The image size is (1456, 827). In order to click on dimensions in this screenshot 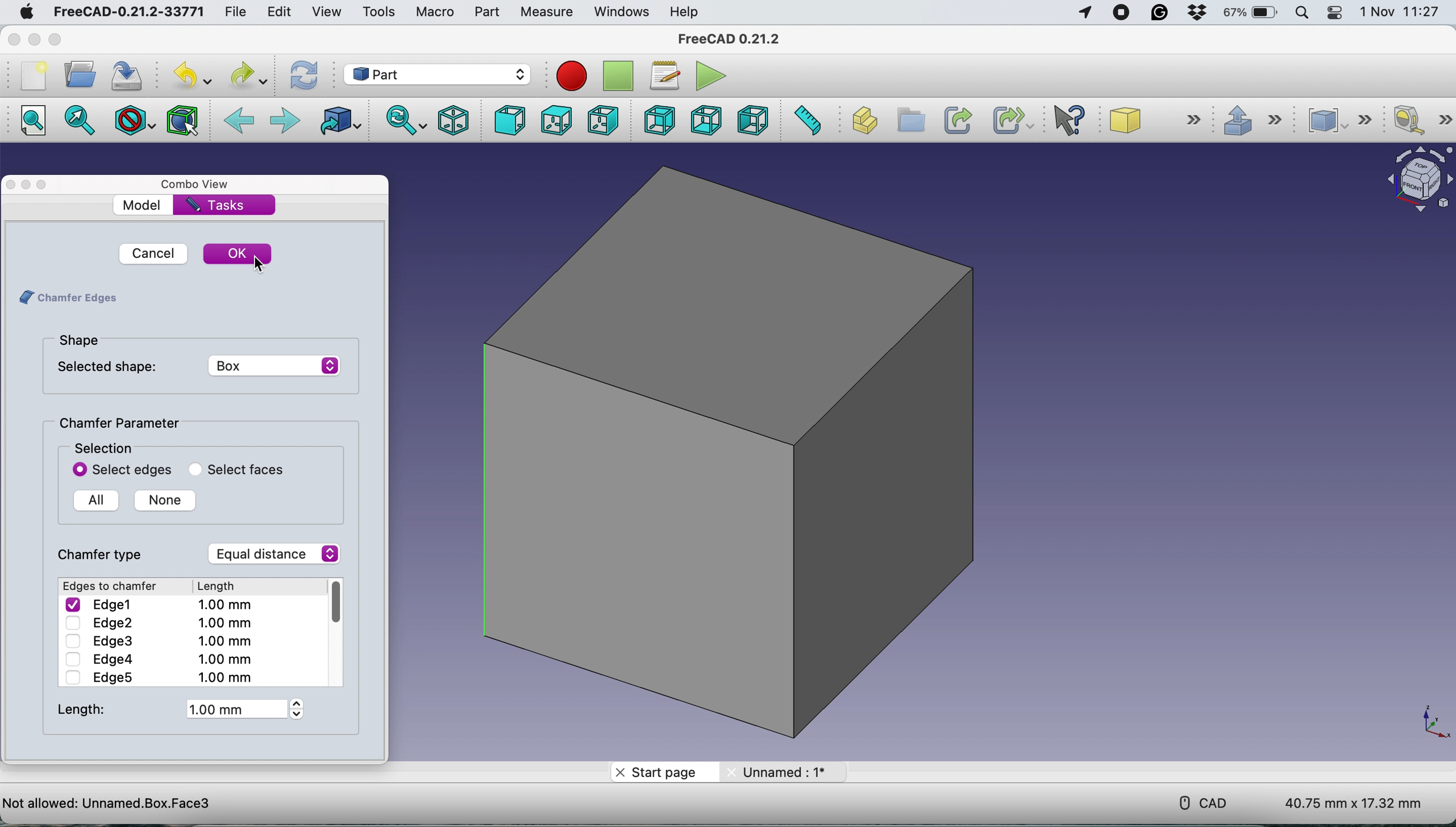, I will do `click(1351, 805)`.